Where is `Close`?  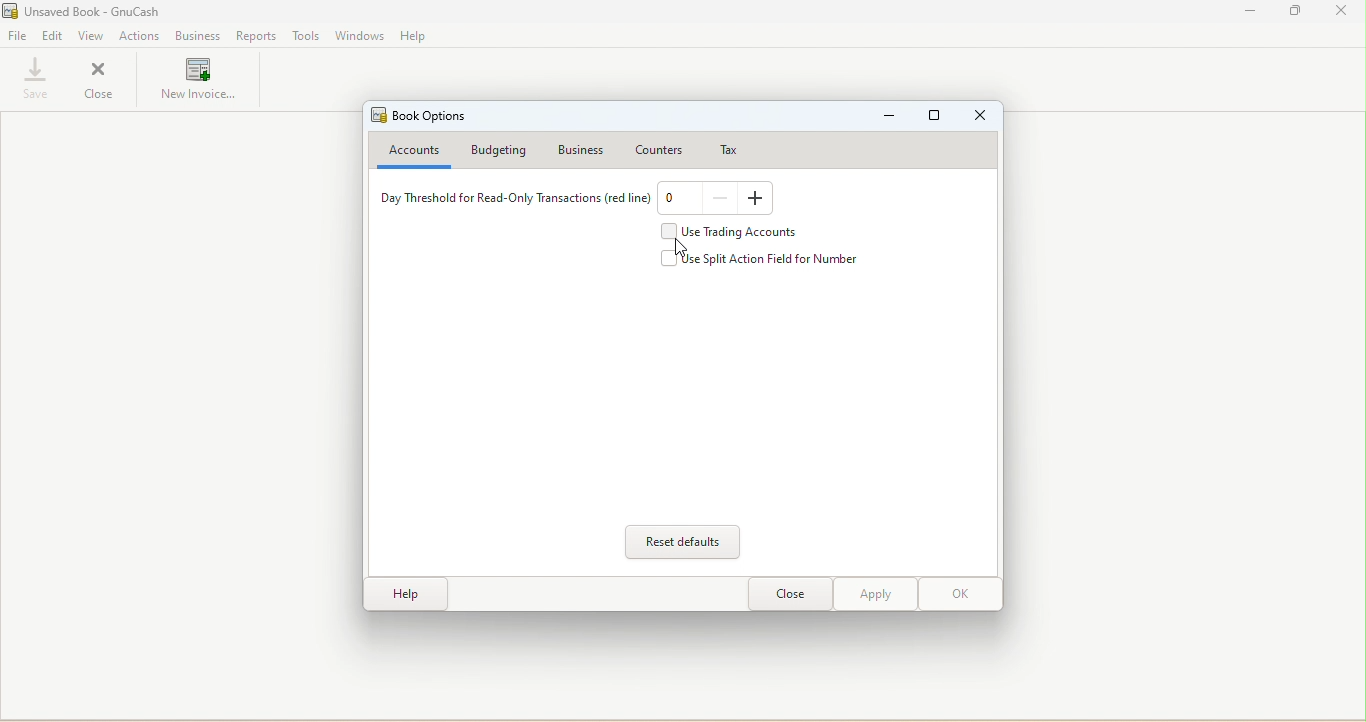 Close is located at coordinates (101, 82).